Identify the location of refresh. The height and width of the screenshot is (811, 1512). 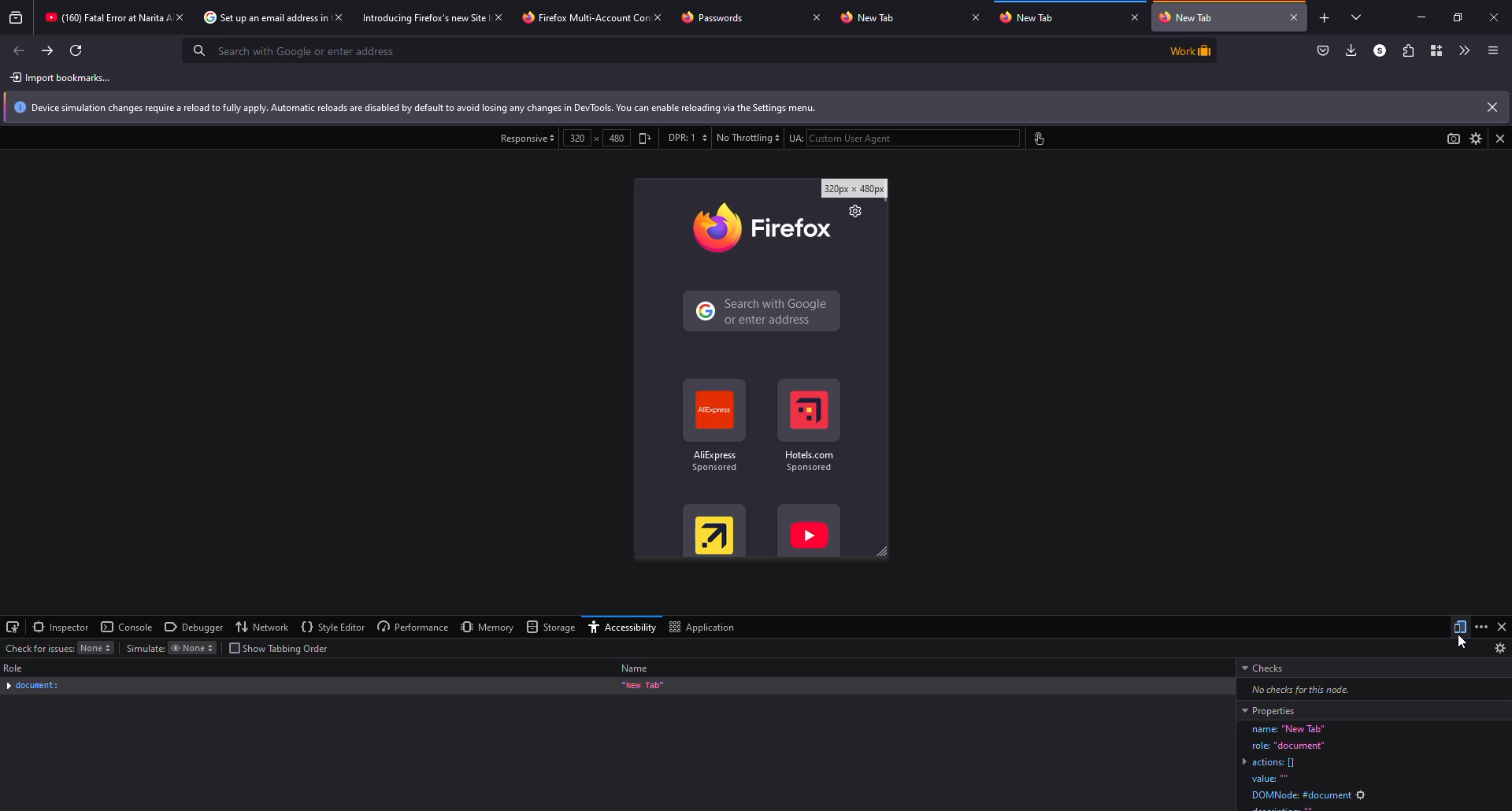
(76, 50).